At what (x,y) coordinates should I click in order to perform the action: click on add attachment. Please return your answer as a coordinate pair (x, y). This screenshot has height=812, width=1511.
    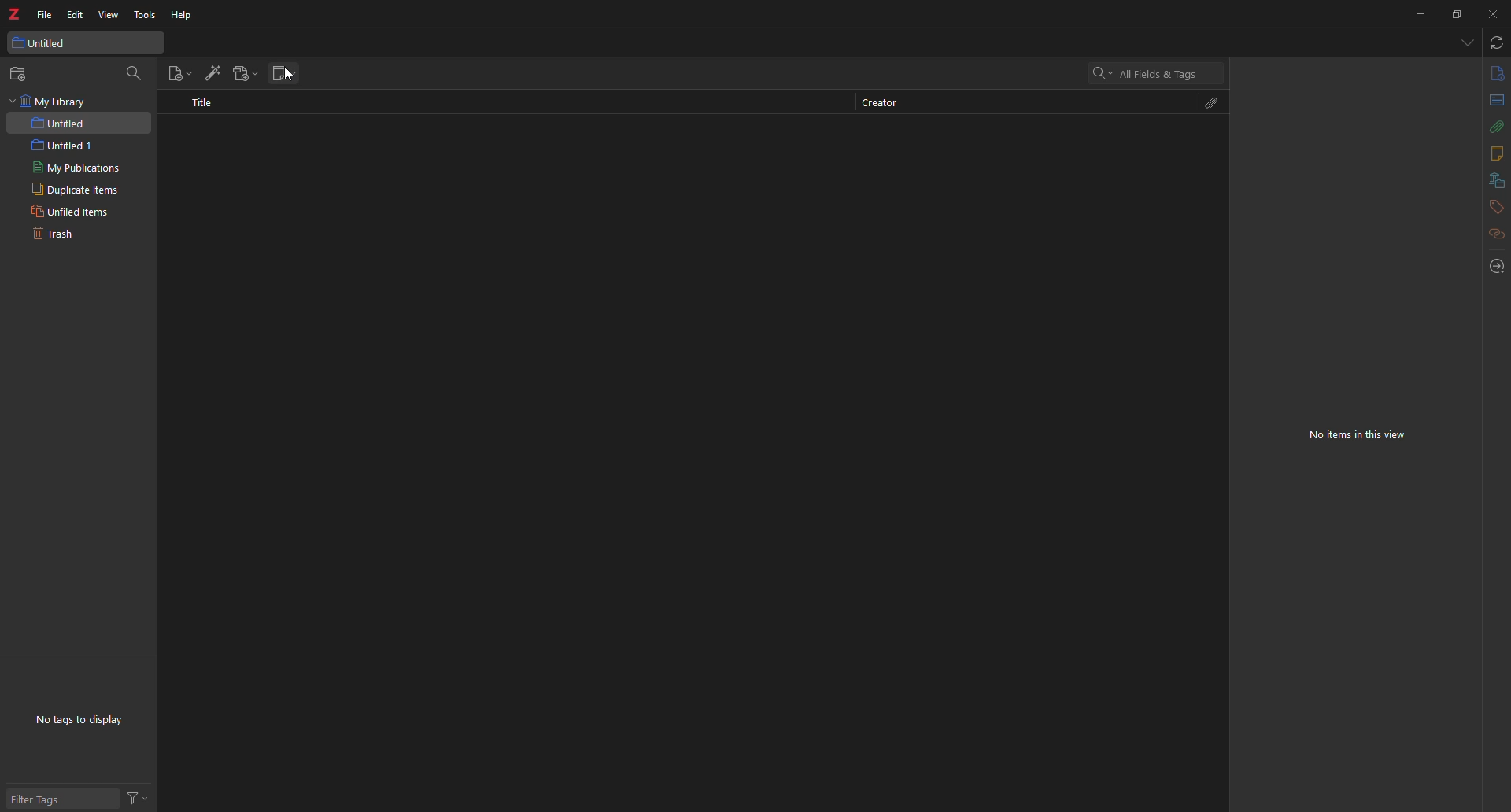
    Looking at the image, I should click on (247, 72).